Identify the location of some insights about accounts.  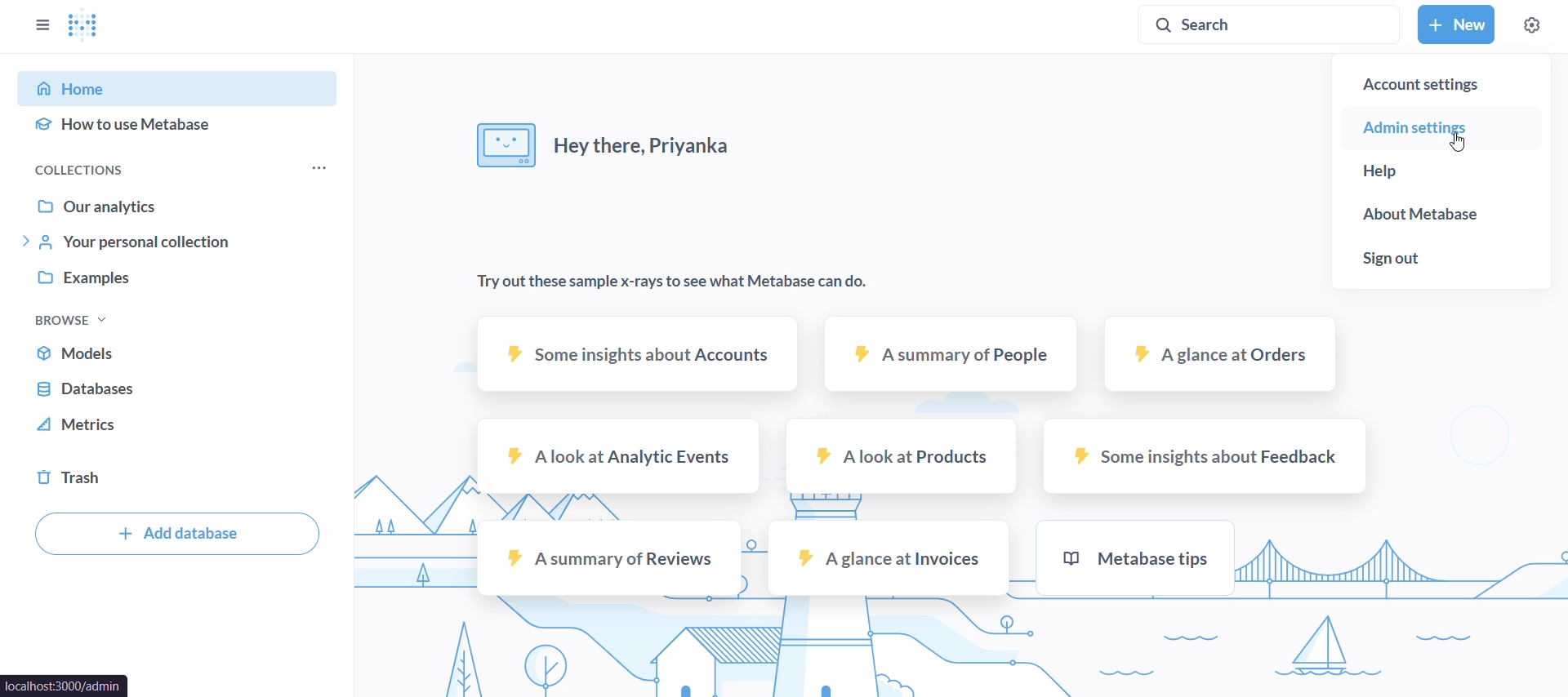
(637, 354).